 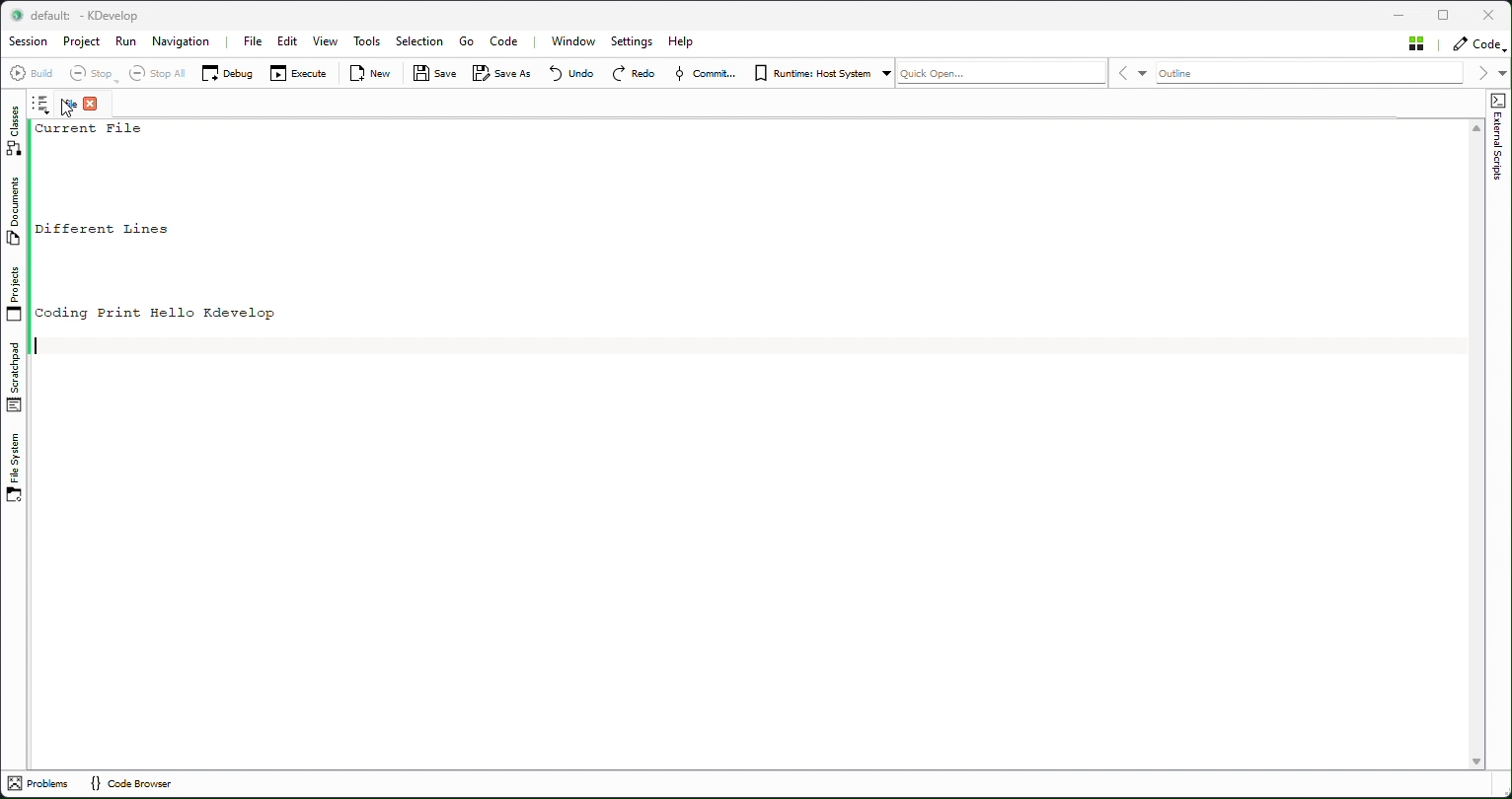 I want to click on Execute, so click(x=300, y=73).